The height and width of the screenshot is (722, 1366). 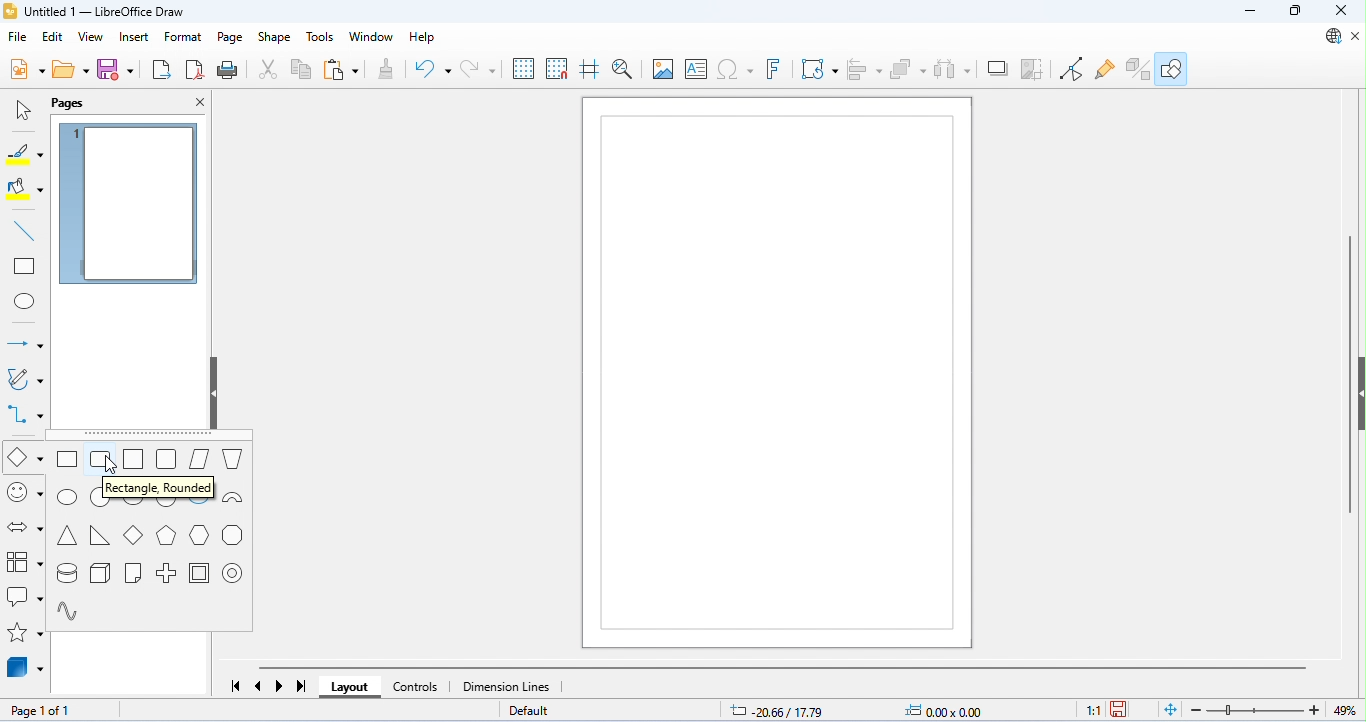 I want to click on octagon, so click(x=235, y=535).